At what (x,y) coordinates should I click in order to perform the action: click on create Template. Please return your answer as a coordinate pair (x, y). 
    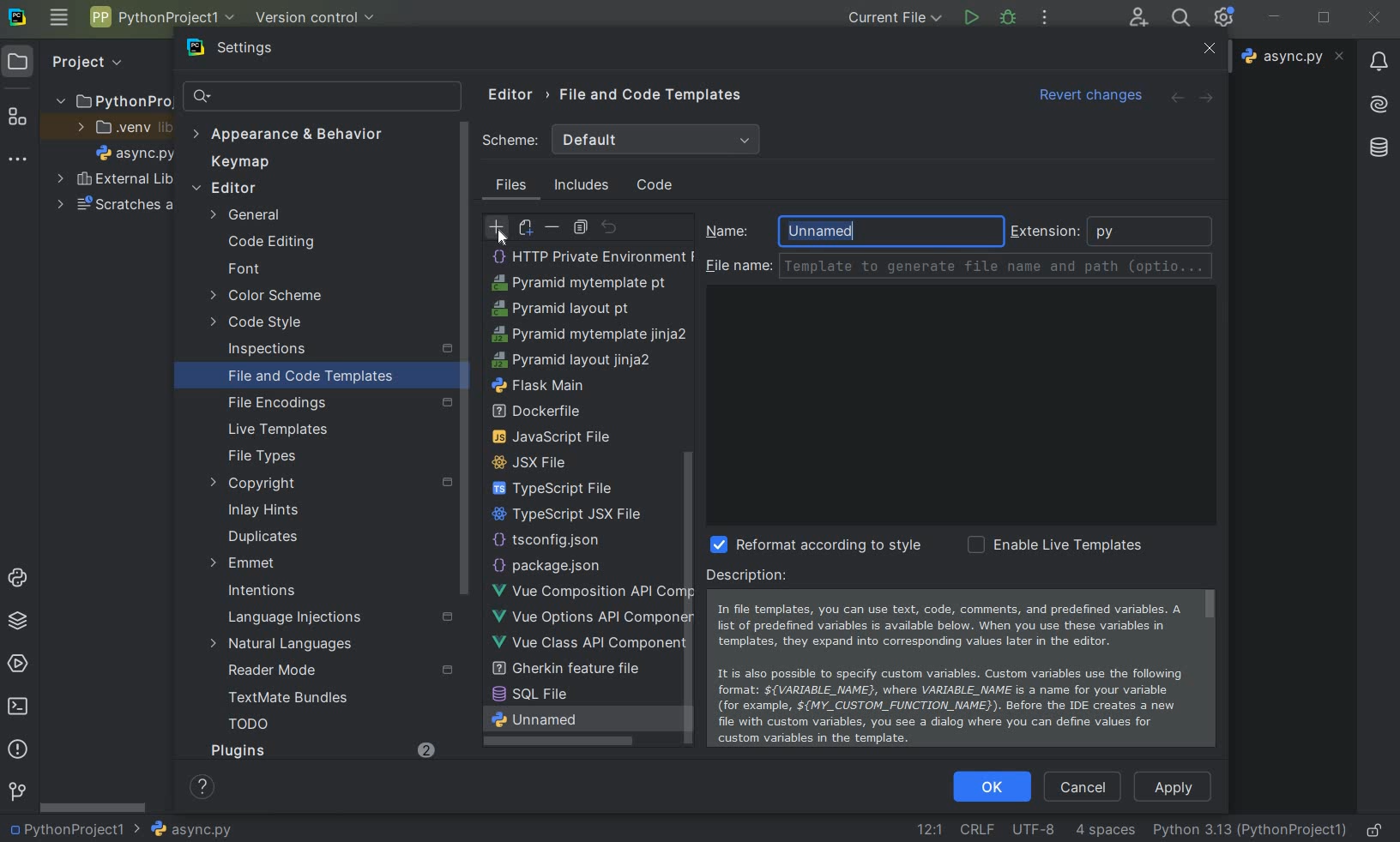
    Looking at the image, I should click on (582, 282).